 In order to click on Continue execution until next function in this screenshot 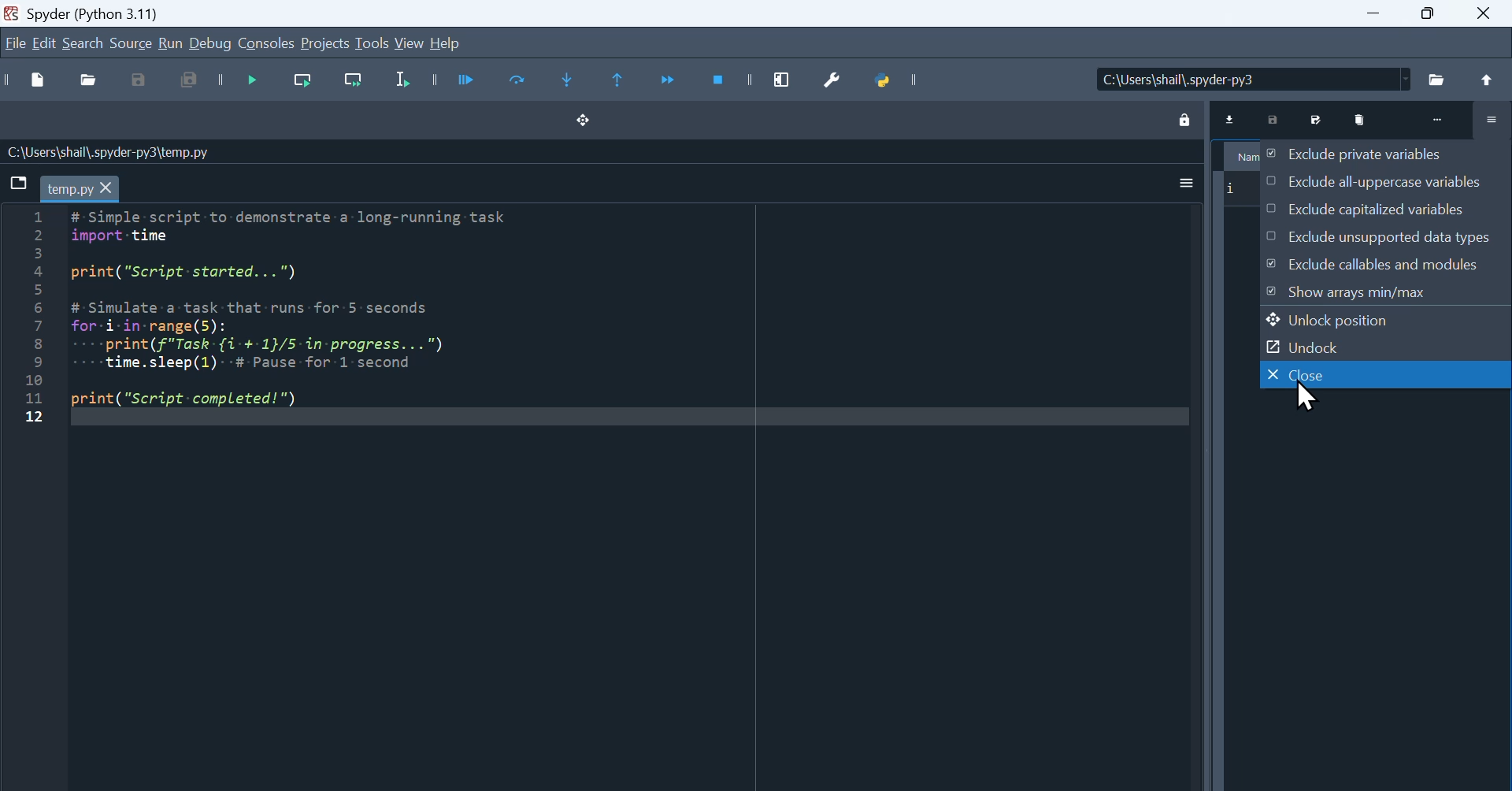, I will do `click(672, 82)`.